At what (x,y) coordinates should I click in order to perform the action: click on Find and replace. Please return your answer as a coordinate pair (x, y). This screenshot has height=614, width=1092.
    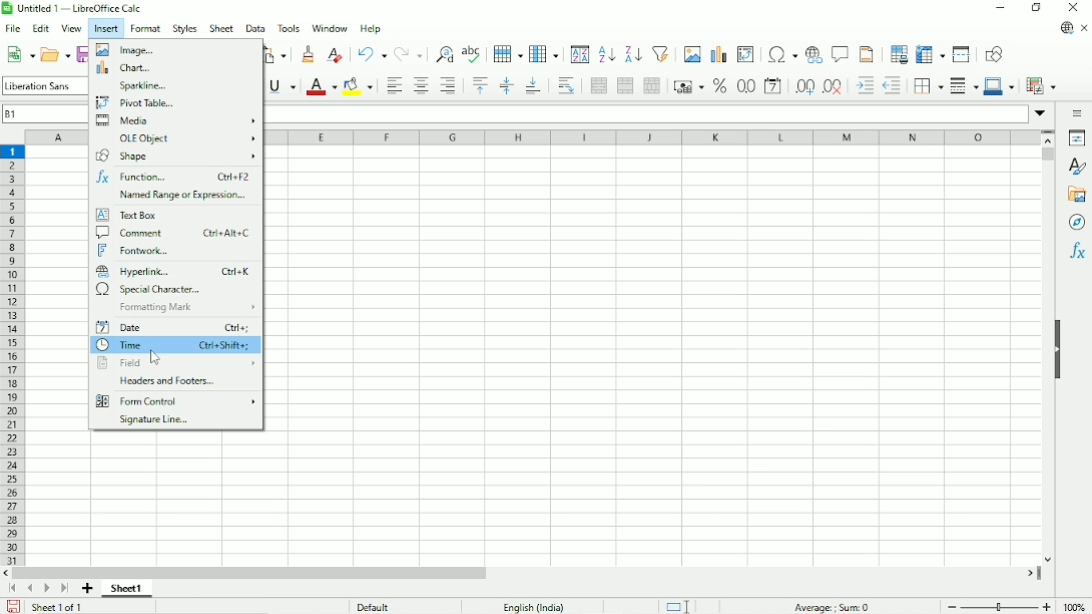
    Looking at the image, I should click on (442, 54).